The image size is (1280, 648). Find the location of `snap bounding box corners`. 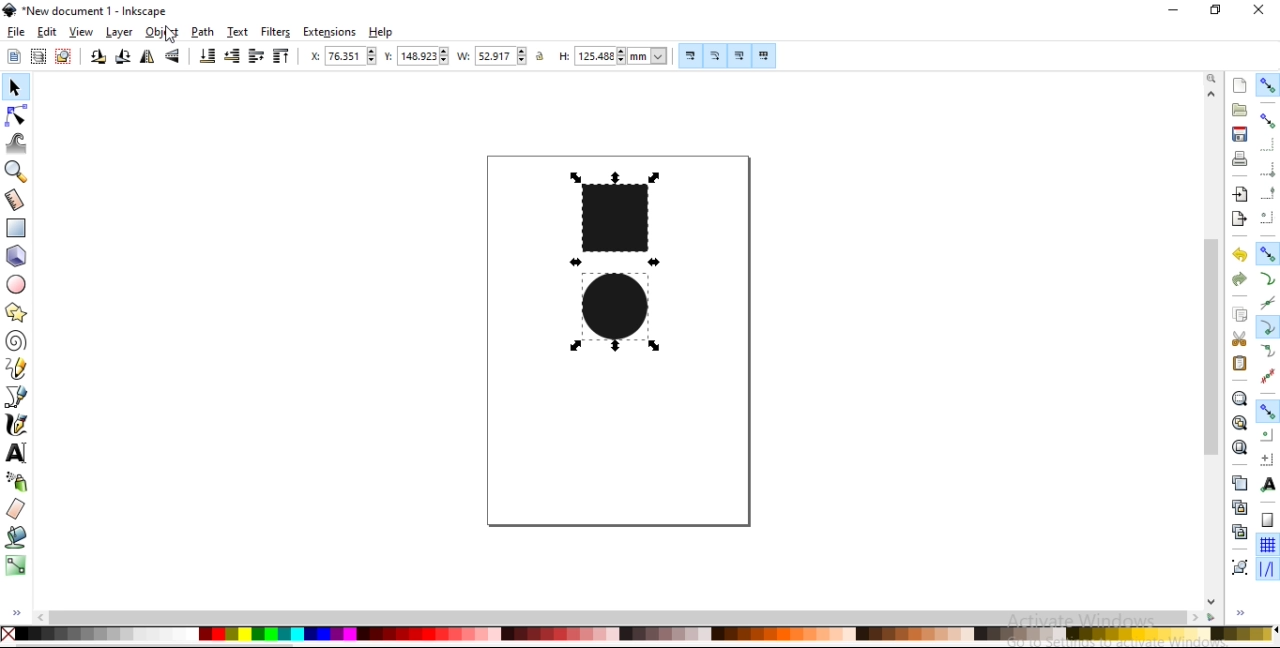

snap bounding box corners is located at coordinates (1267, 170).